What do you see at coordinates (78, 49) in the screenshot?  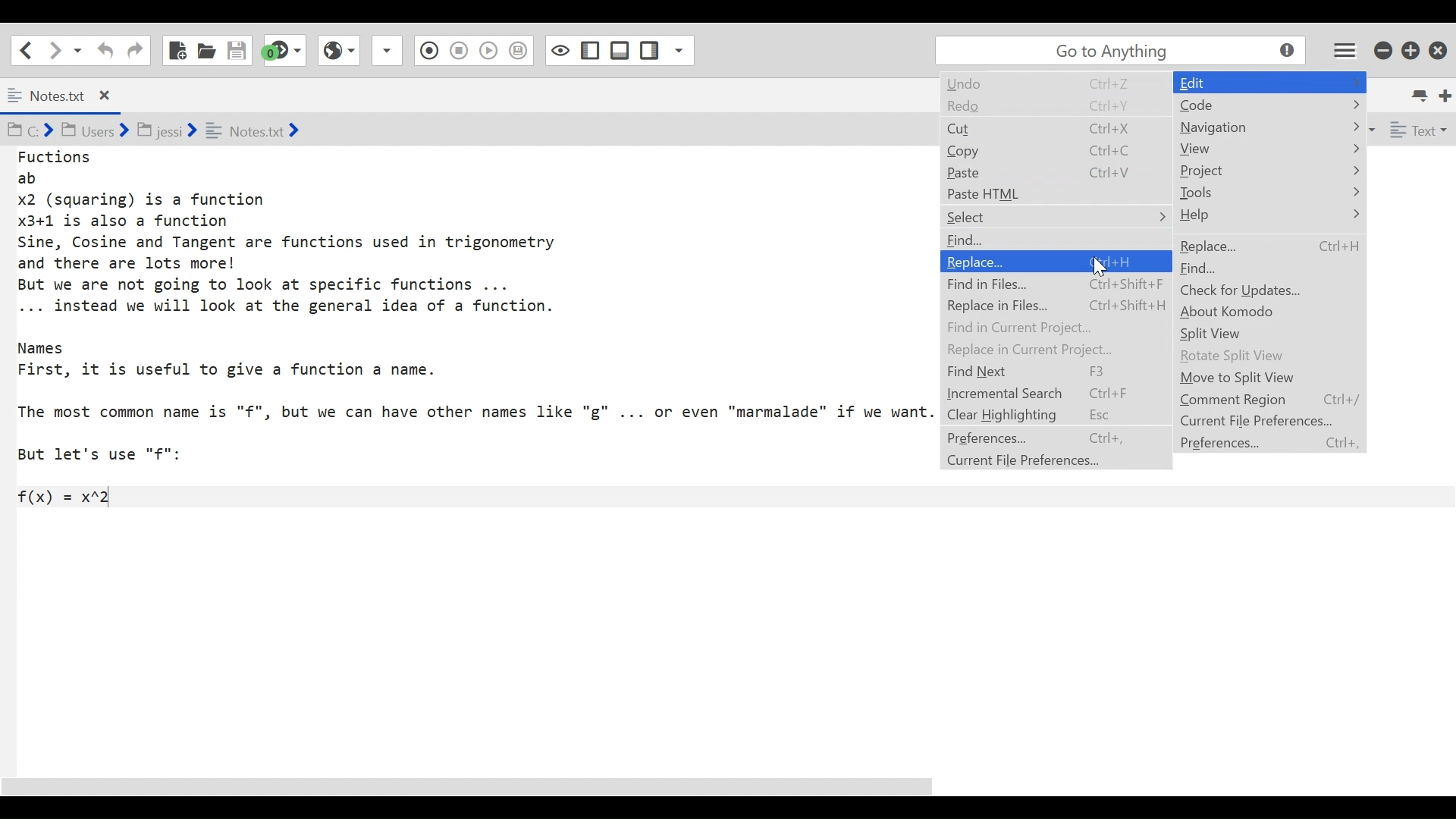 I see `Recent locations` at bounding box center [78, 49].